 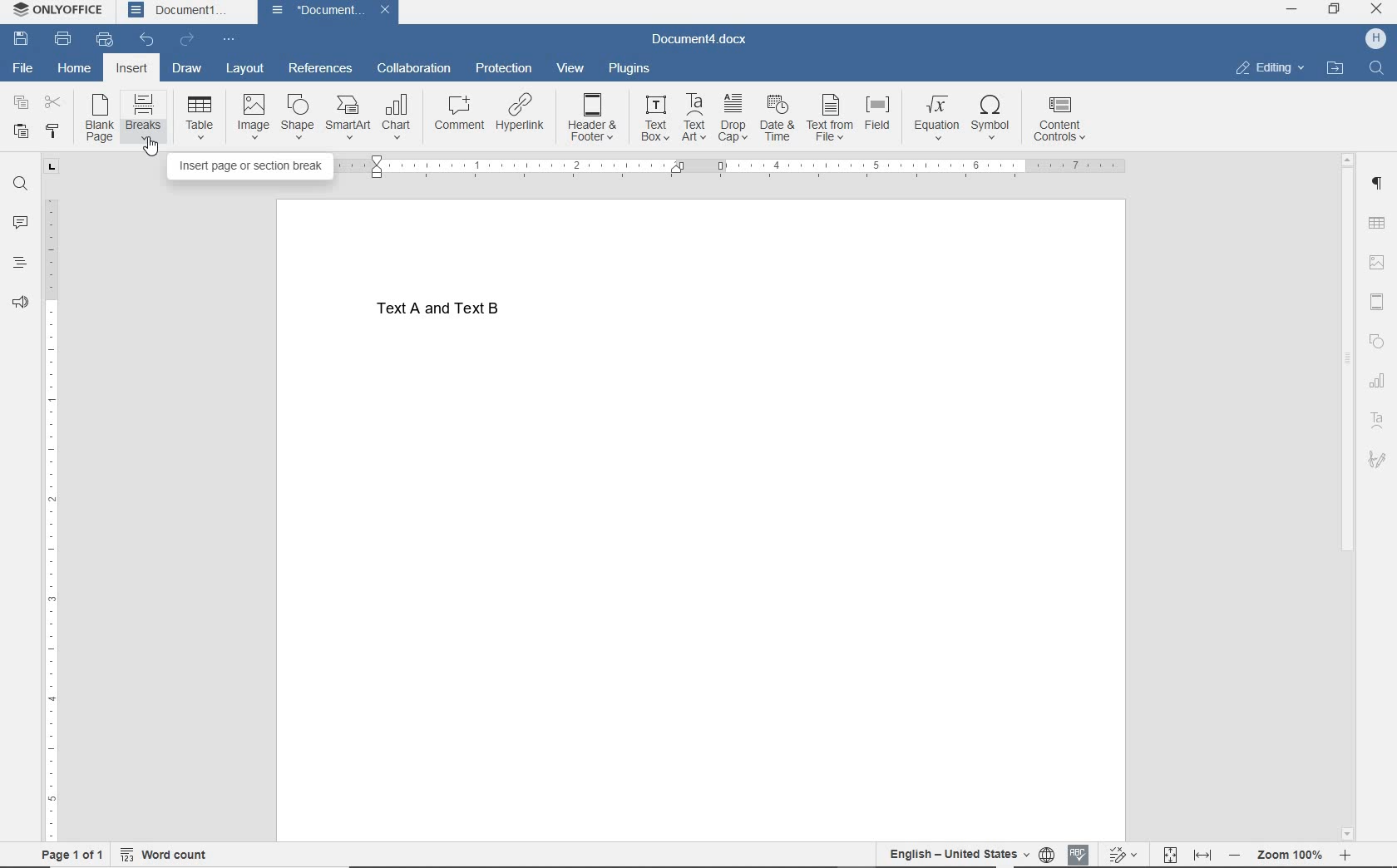 What do you see at coordinates (148, 40) in the screenshot?
I see `UNDO` at bounding box center [148, 40].